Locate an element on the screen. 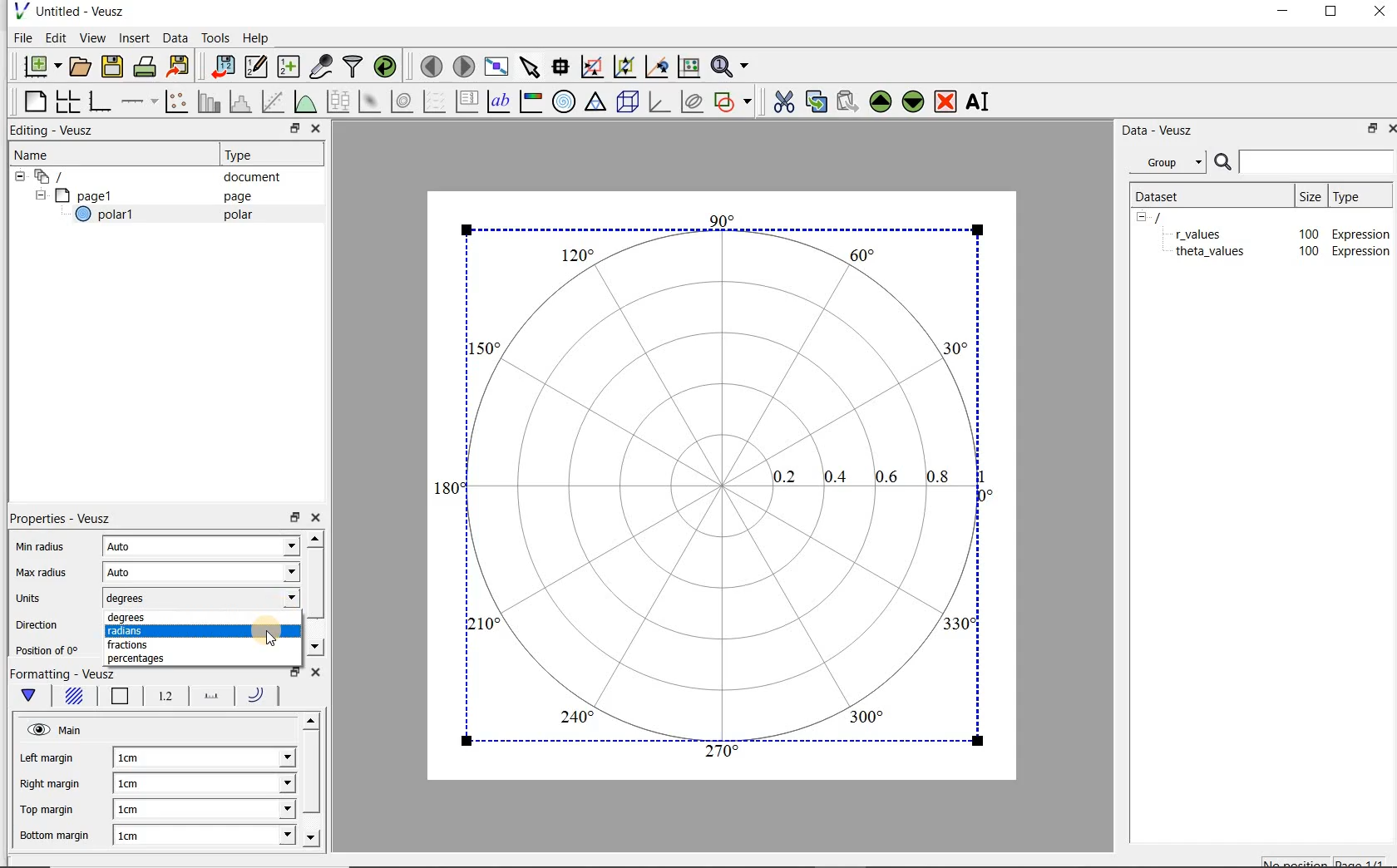 The image size is (1397, 868). Group is located at coordinates (1172, 165).